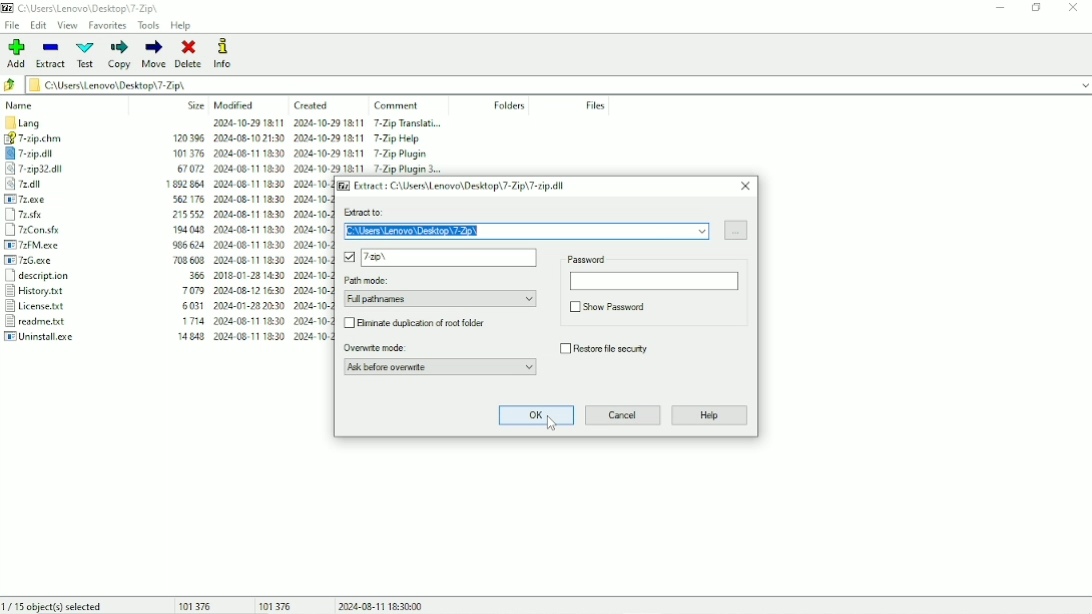 Image resolution: width=1092 pixels, height=614 pixels. What do you see at coordinates (248, 322) in the screenshot?
I see `104 006-08-1N1EN 26-00-9121 7~Lp Overview` at bounding box center [248, 322].